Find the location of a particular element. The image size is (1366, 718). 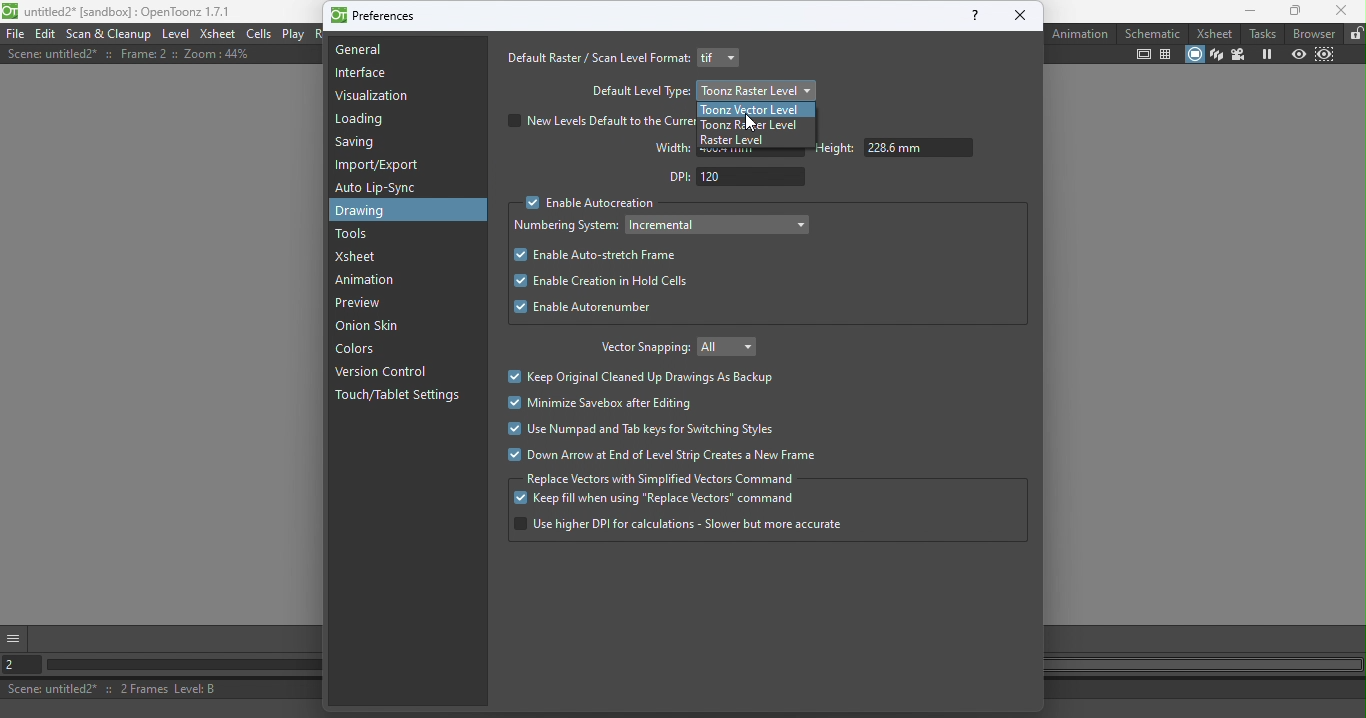

Xsheet is located at coordinates (218, 33).